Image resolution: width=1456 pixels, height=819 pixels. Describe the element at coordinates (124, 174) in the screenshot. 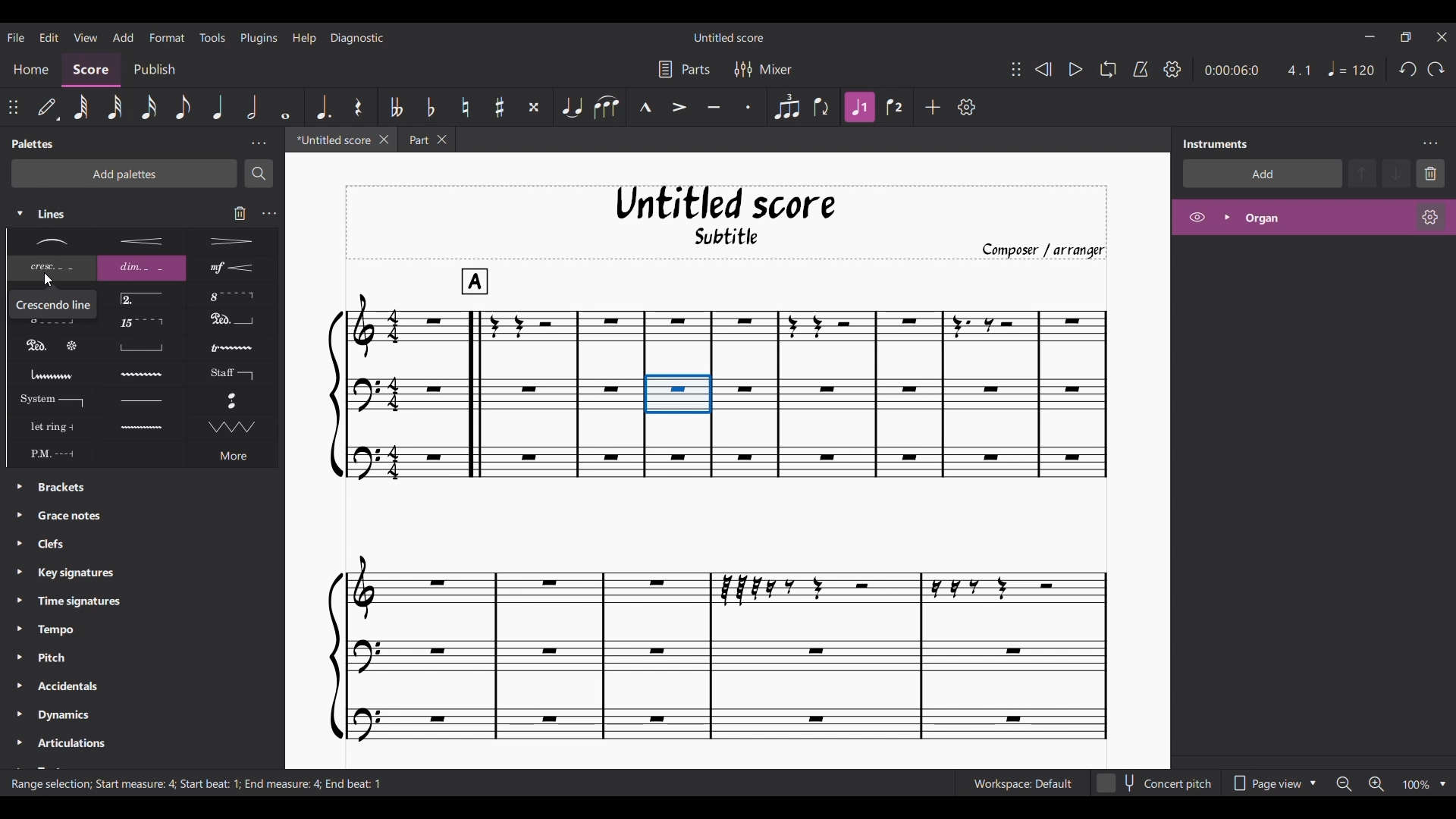

I see `Add palette` at that location.